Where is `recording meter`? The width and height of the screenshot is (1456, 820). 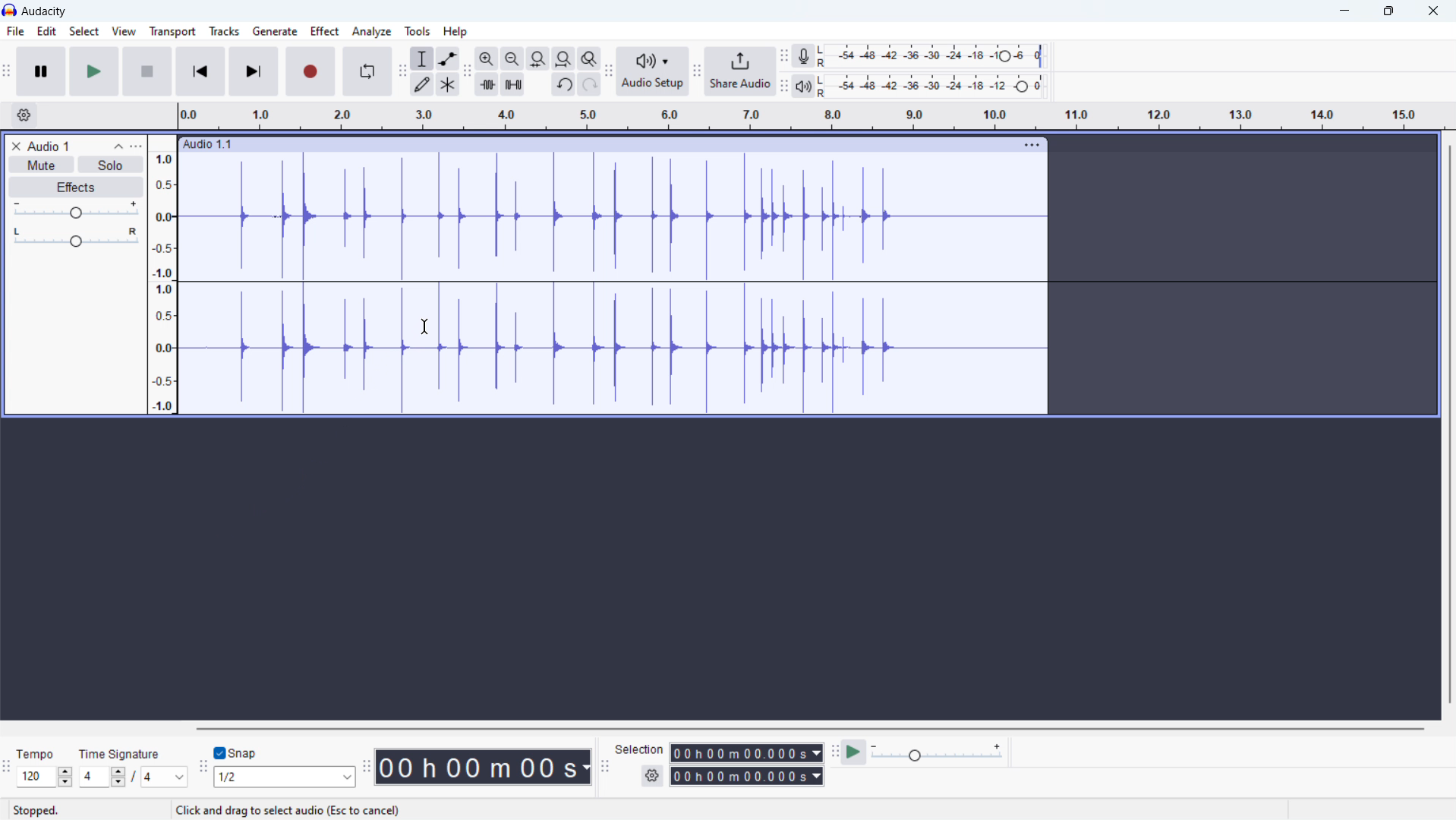
recording meter is located at coordinates (808, 55).